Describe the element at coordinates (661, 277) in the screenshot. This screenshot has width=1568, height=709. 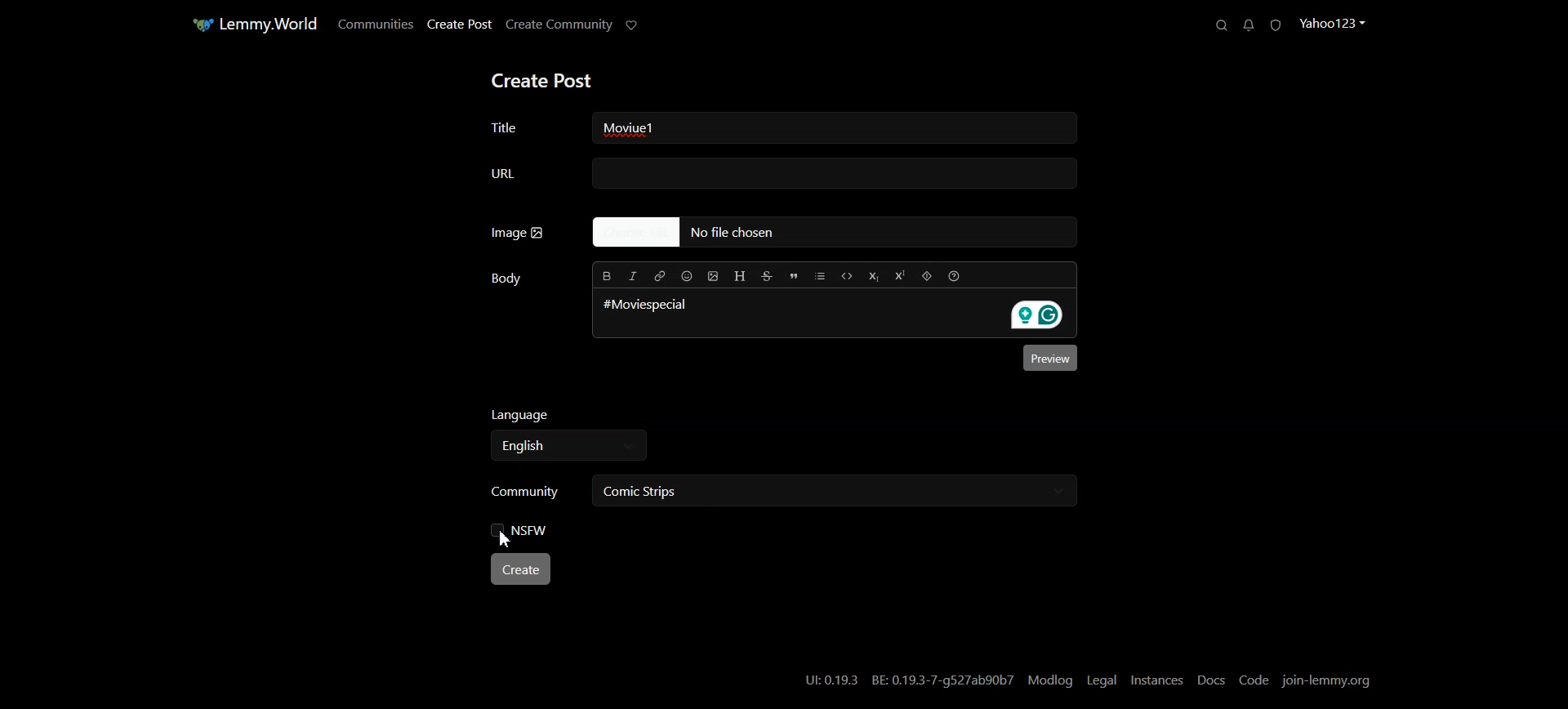
I see `Hyperlink` at that location.